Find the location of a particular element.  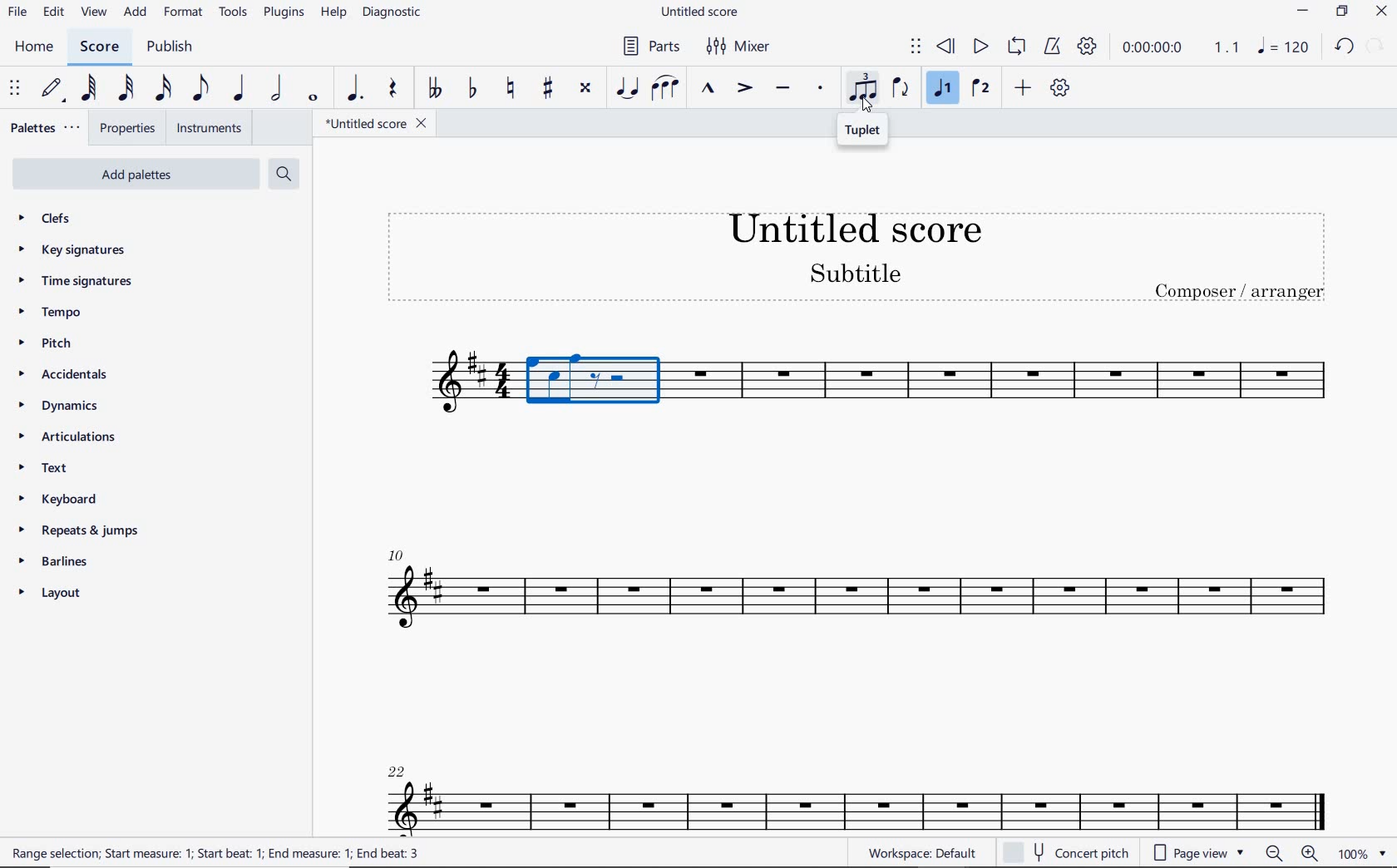

SELECET TO MOVE is located at coordinates (15, 89).